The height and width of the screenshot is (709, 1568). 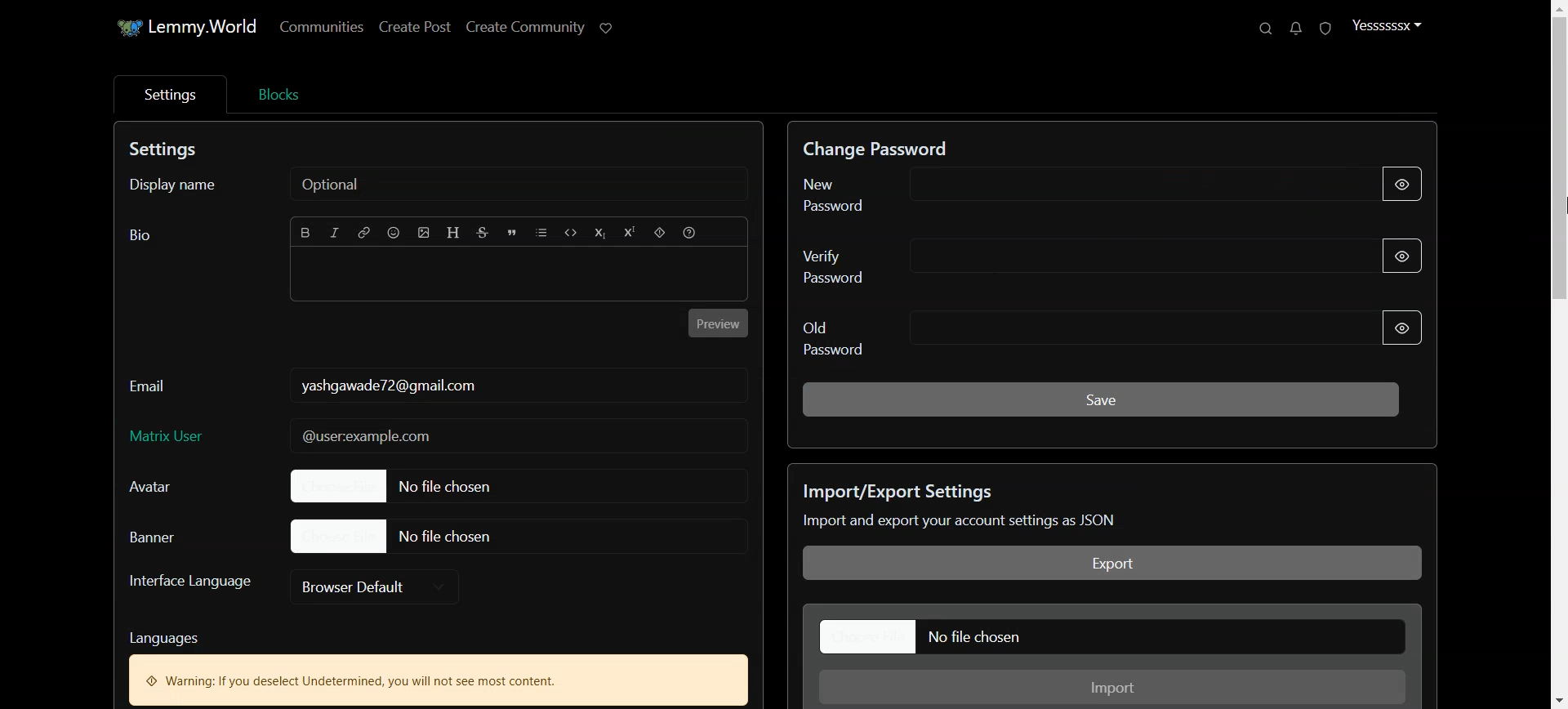 What do you see at coordinates (689, 233) in the screenshot?
I see `Formatting help` at bounding box center [689, 233].